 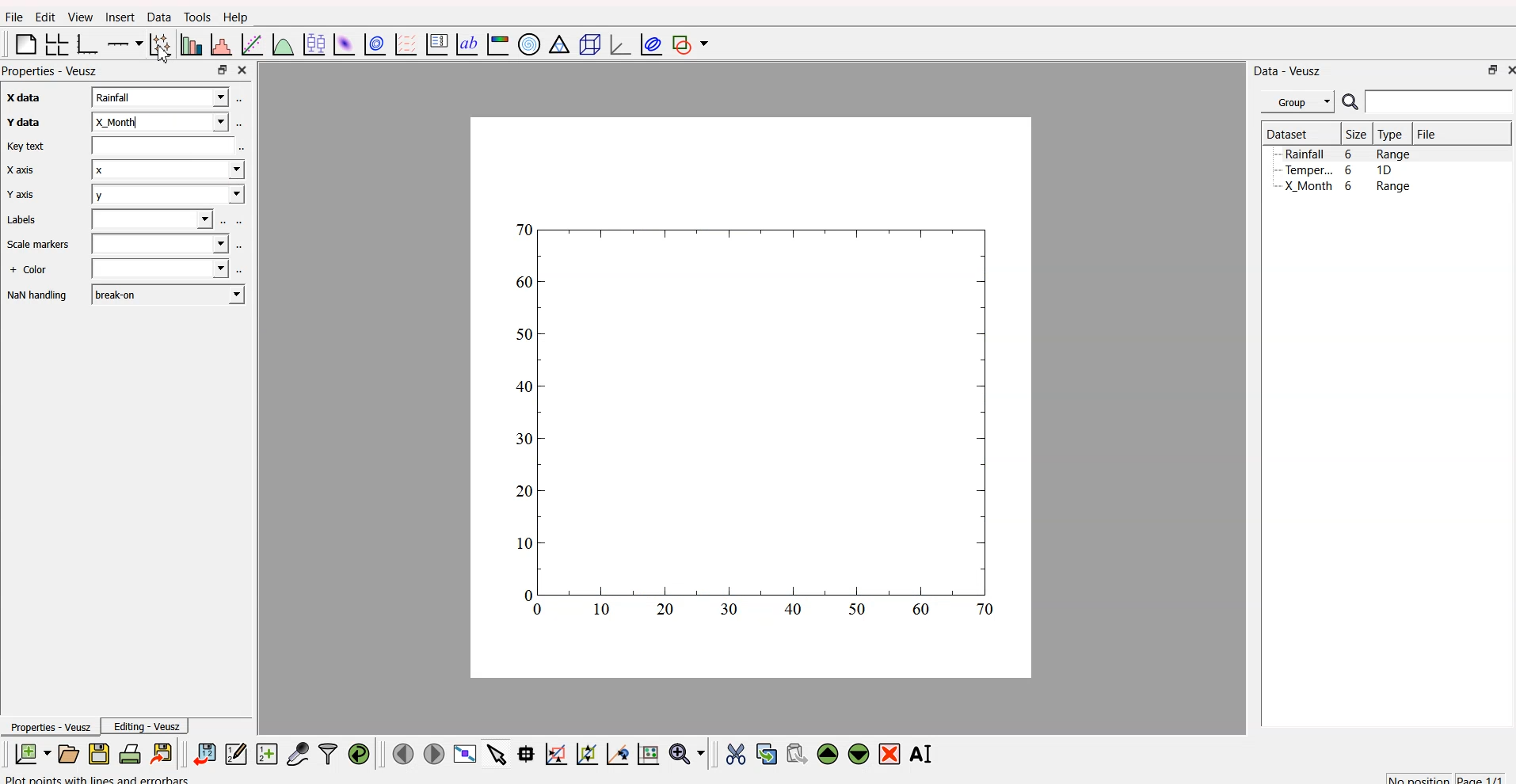 I want to click on Data, so click(x=156, y=18).